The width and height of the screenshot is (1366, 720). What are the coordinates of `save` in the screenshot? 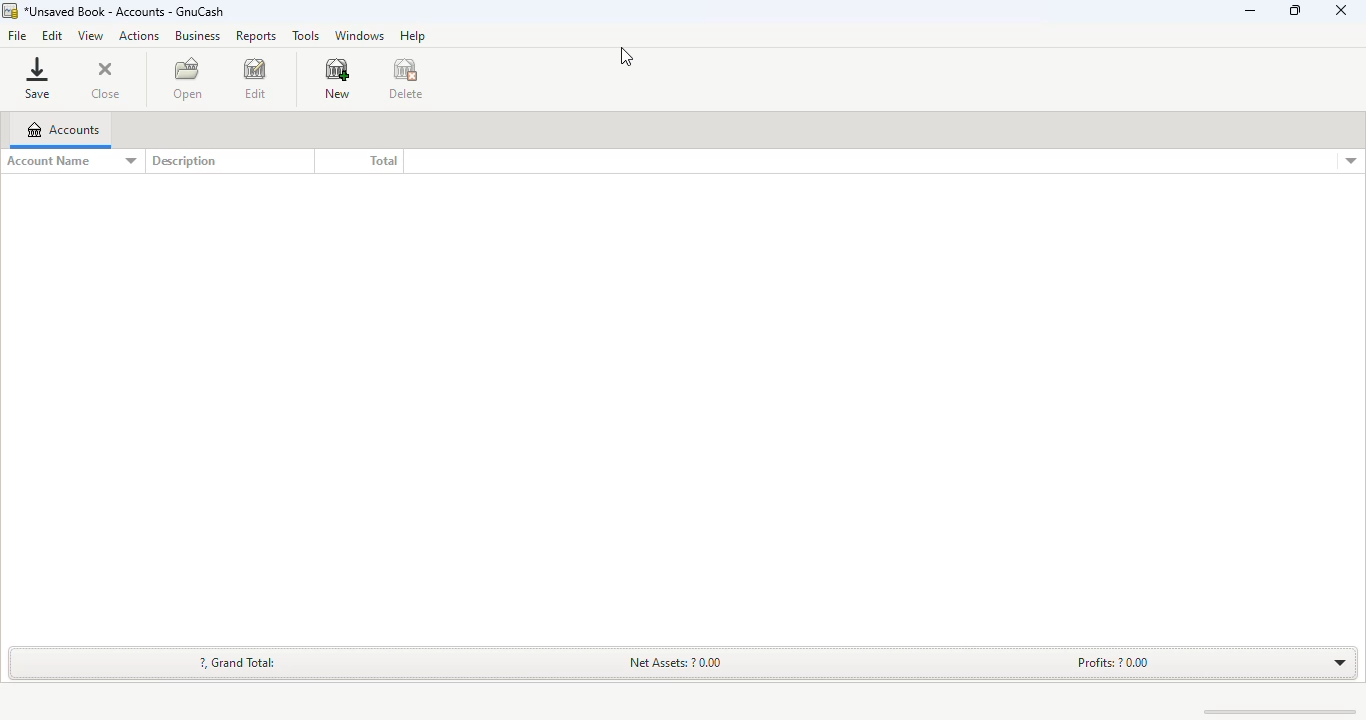 It's located at (37, 78).